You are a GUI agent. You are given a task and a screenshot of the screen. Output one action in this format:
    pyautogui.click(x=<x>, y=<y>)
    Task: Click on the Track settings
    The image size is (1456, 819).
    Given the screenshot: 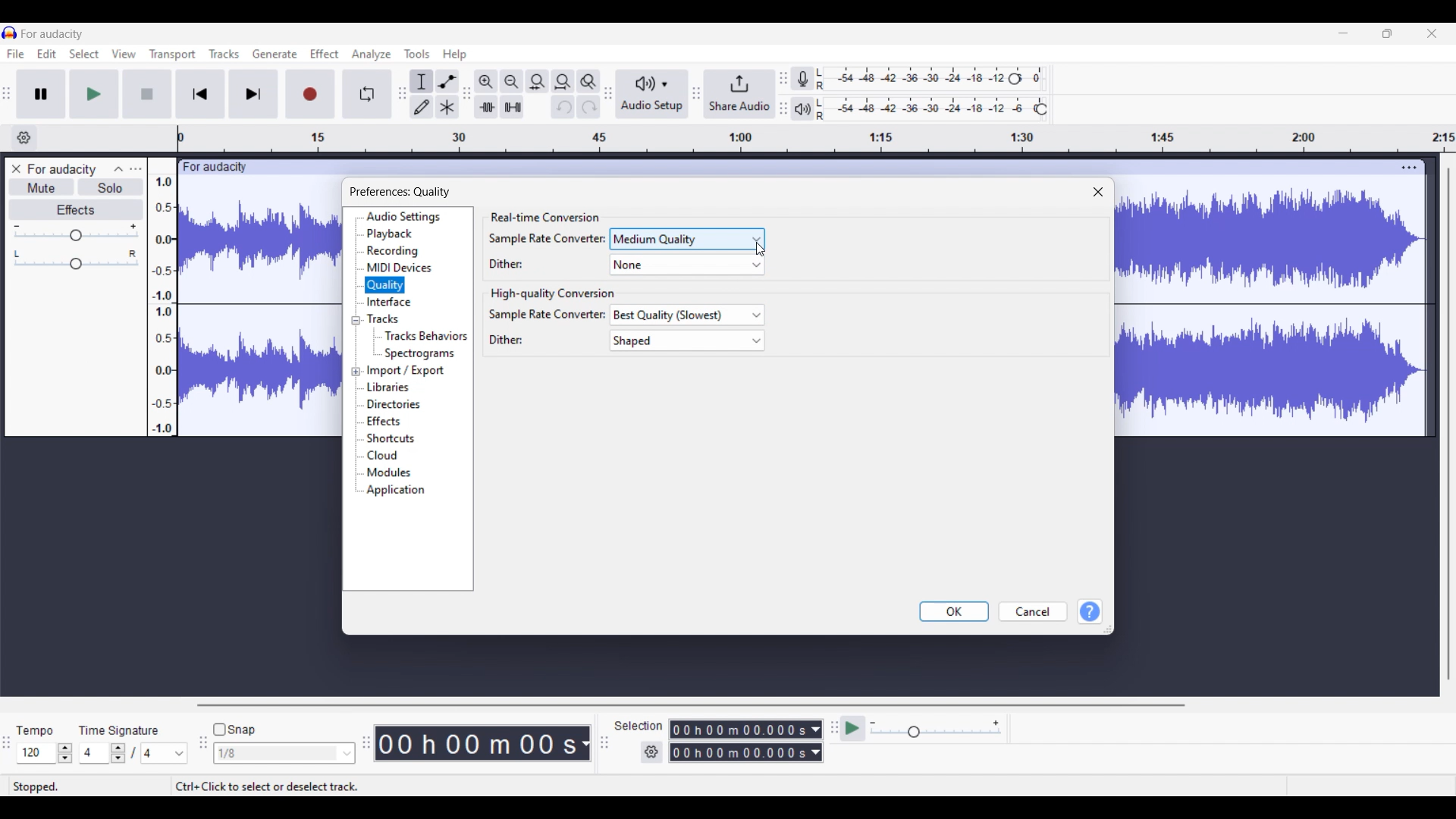 What is the action you would take?
    pyautogui.click(x=1409, y=168)
    